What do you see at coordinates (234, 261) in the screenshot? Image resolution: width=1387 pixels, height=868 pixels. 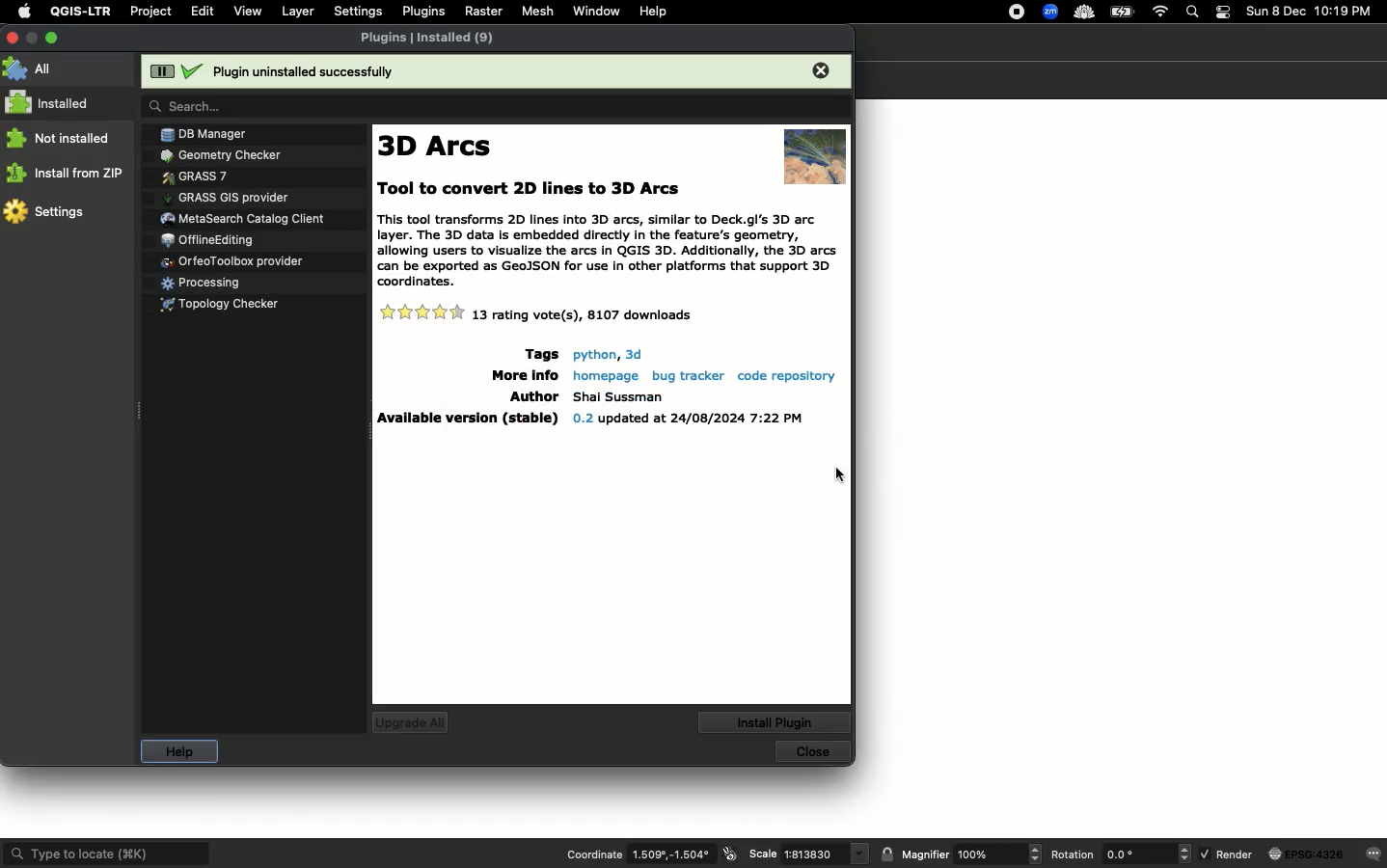 I see `Plugins` at bounding box center [234, 261].